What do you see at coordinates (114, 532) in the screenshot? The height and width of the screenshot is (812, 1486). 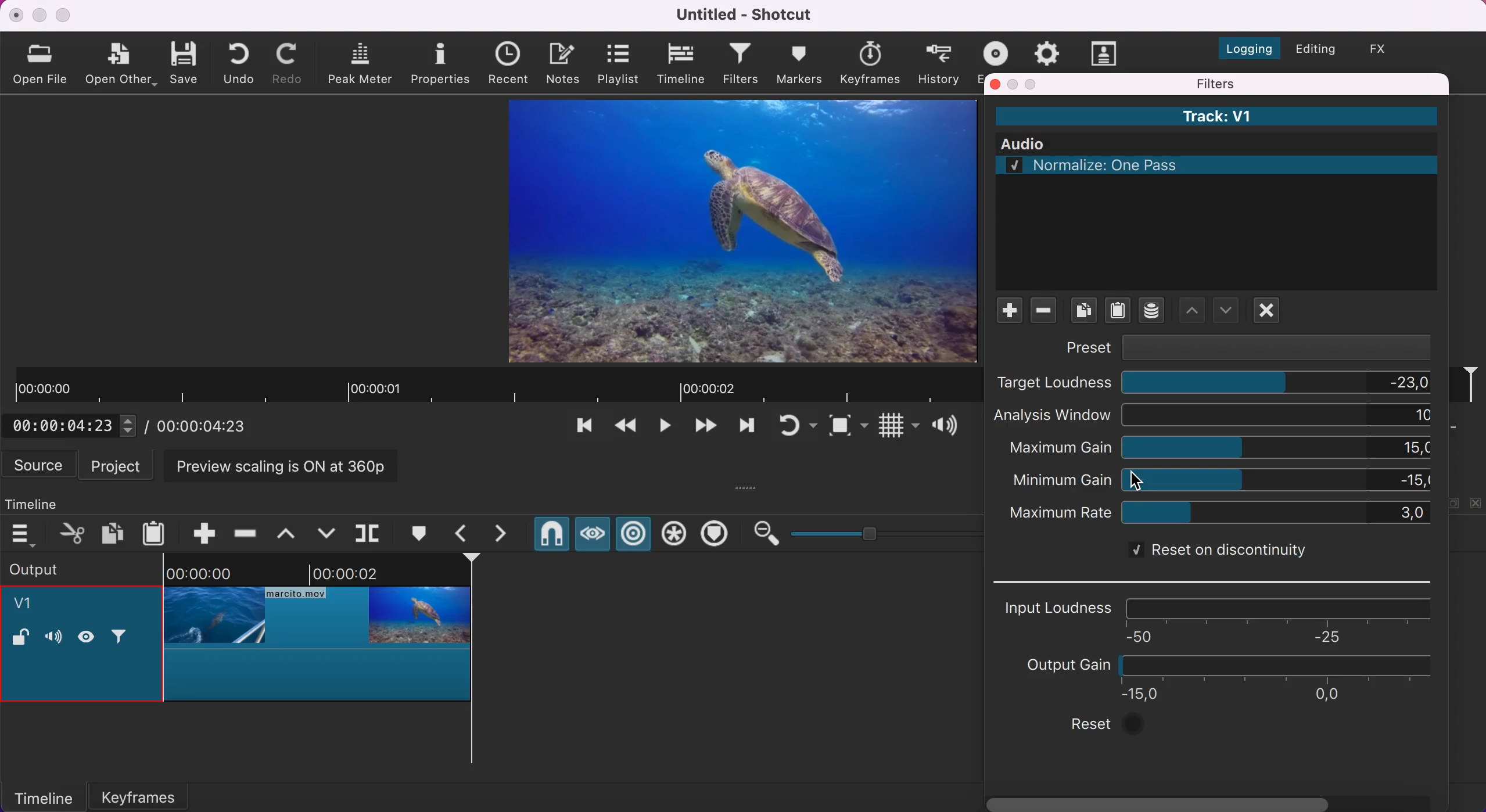 I see `copy` at bounding box center [114, 532].